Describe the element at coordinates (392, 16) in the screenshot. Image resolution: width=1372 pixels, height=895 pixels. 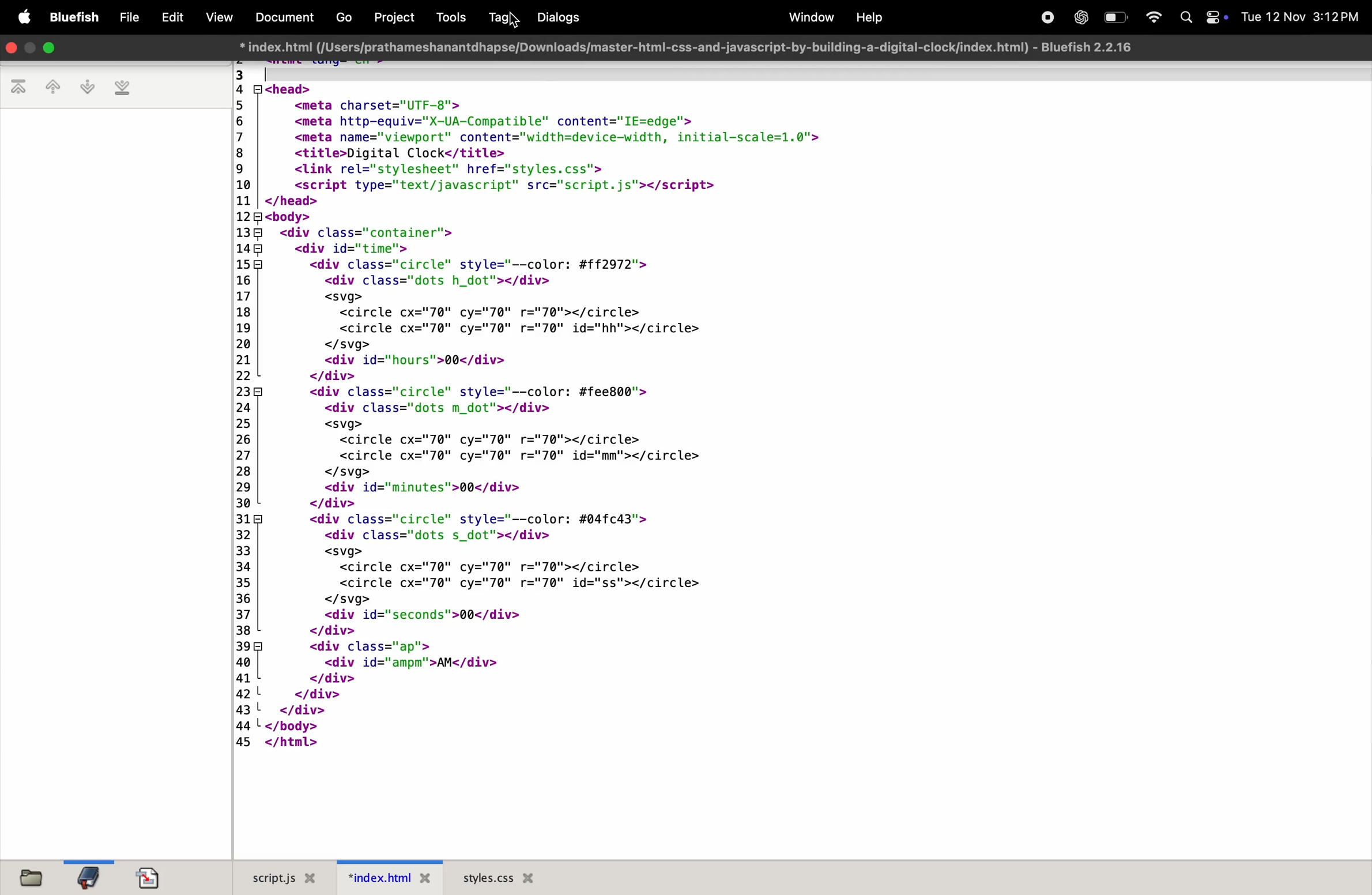
I see `project` at that location.